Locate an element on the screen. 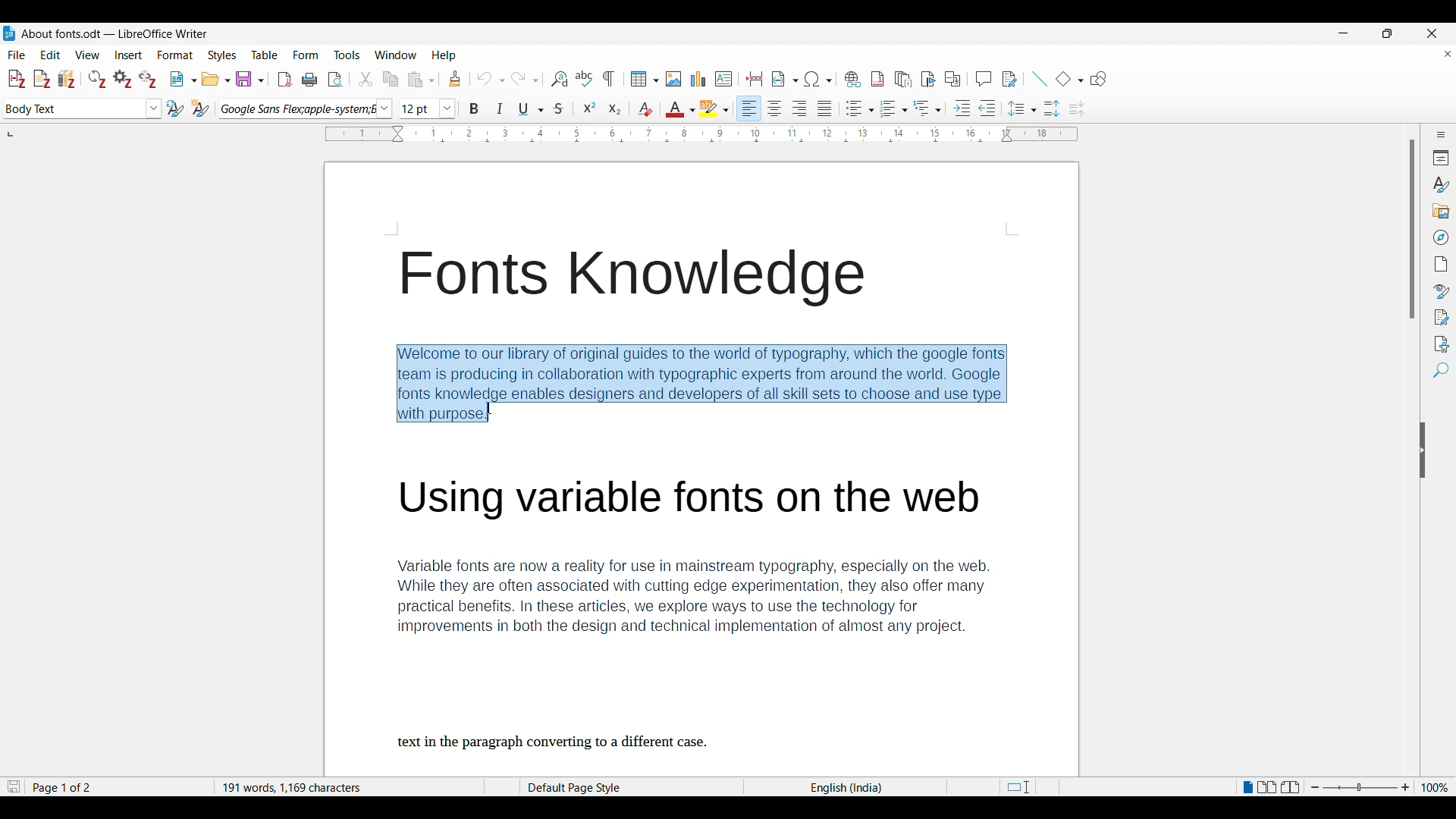  Toggle ordered list is located at coordinates (894, 108).